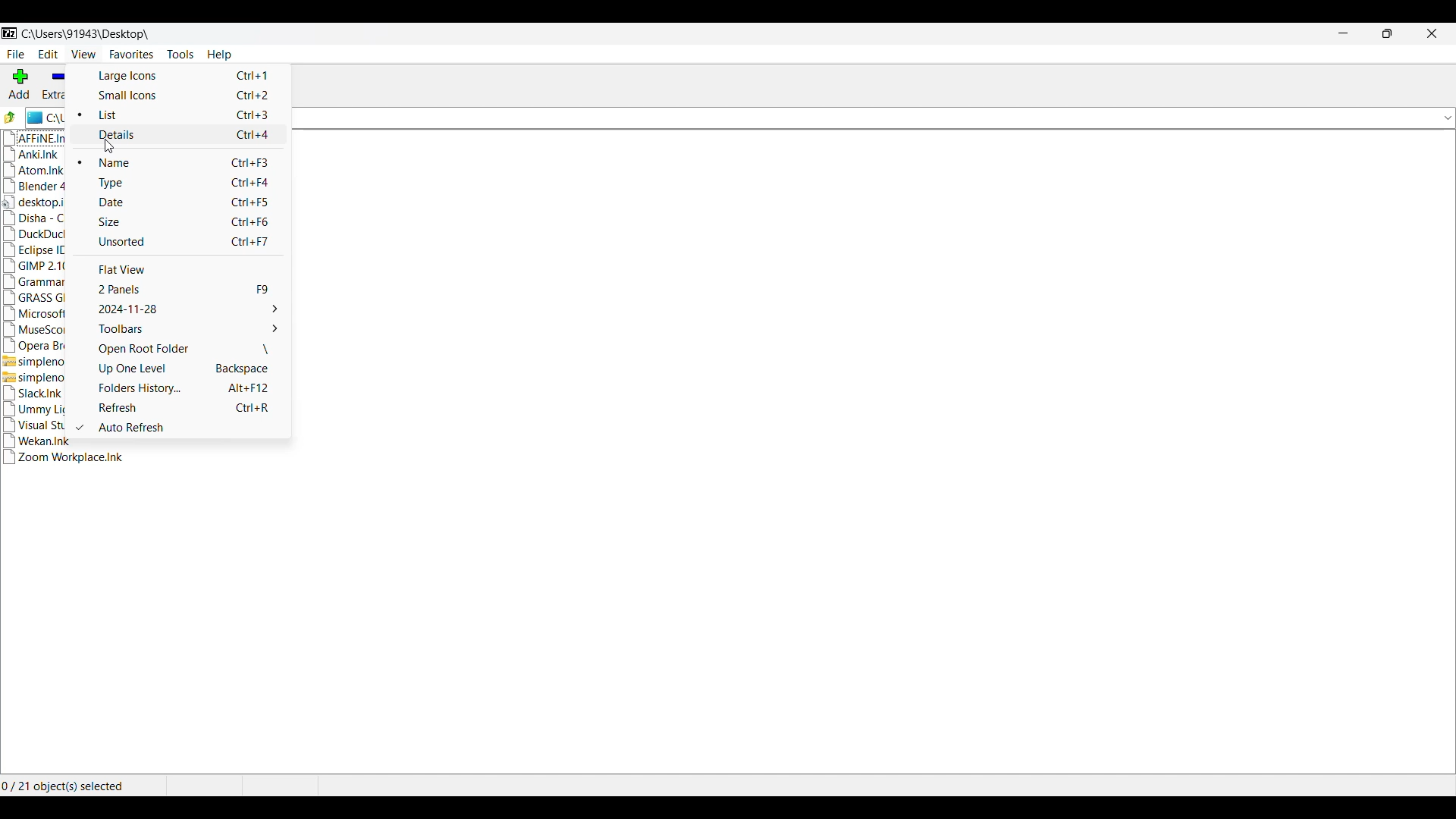 This screenshot has height=819, width=1456. What do you see at coordinates (190, 388) in the screenshot?
I see `Folders history` at bounding box center [190, 388].